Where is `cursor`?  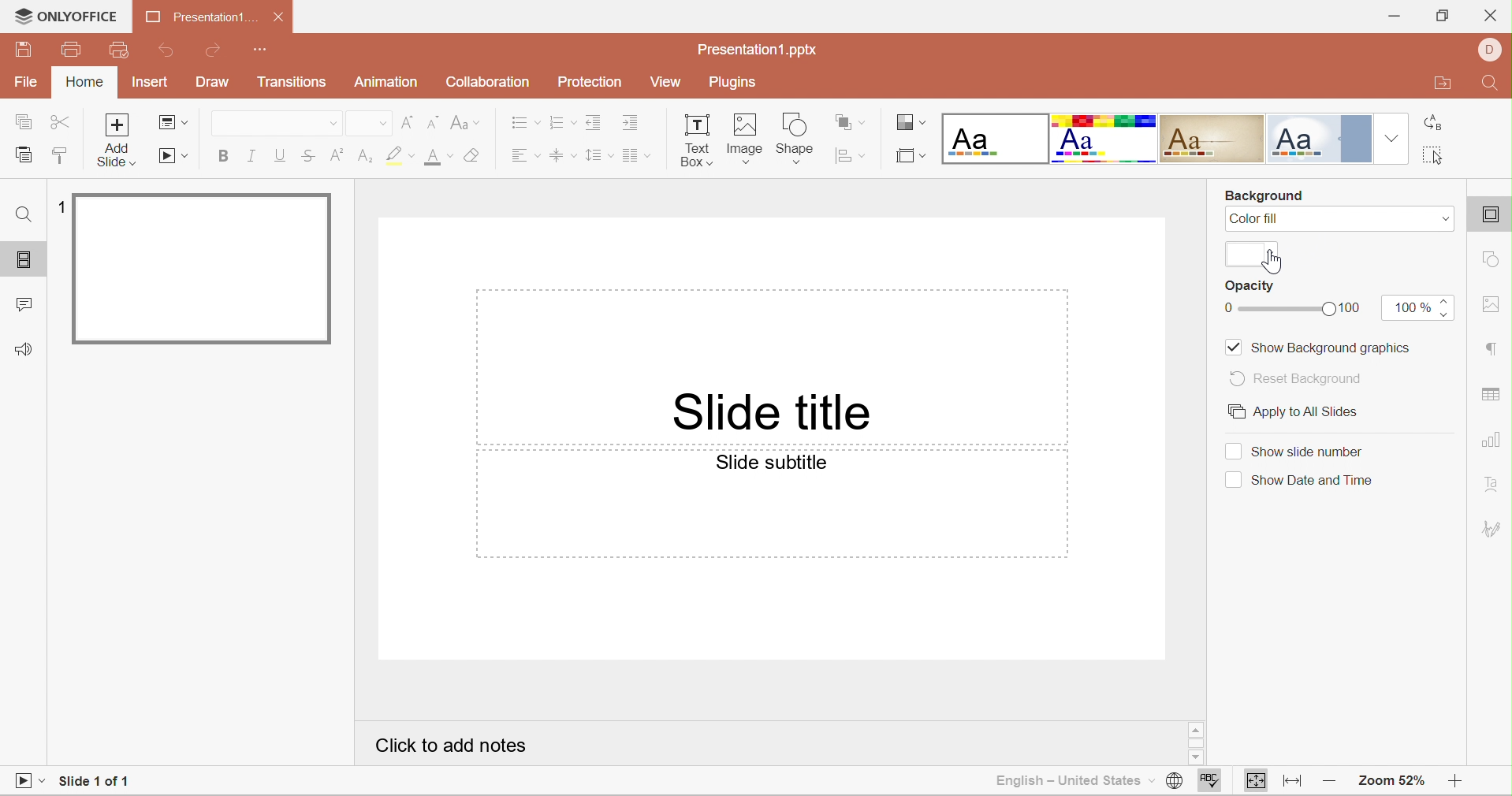 cursor is located at coordinates (1272, 262).